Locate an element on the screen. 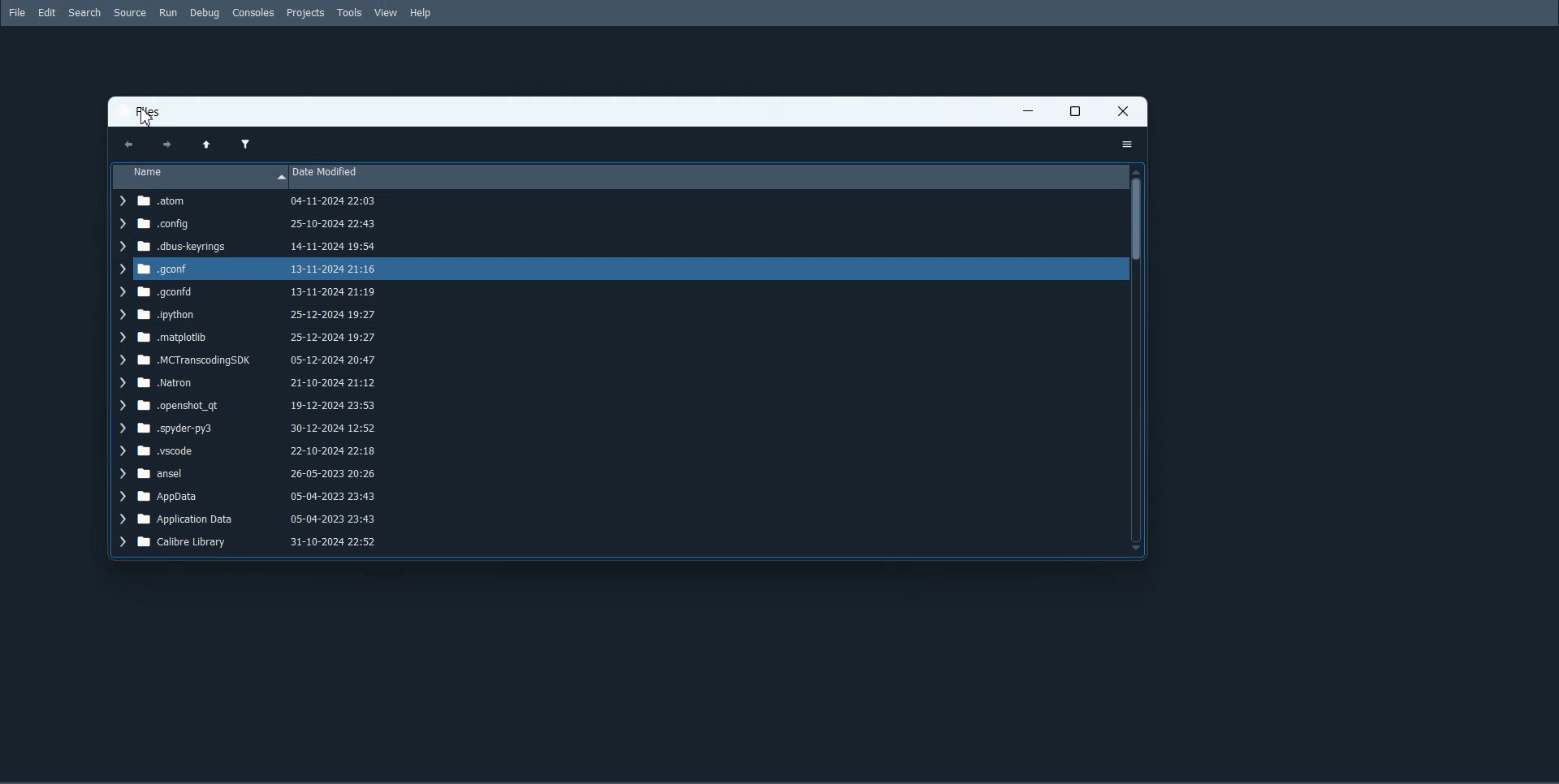  Filter is located at coordinates (244, 144).